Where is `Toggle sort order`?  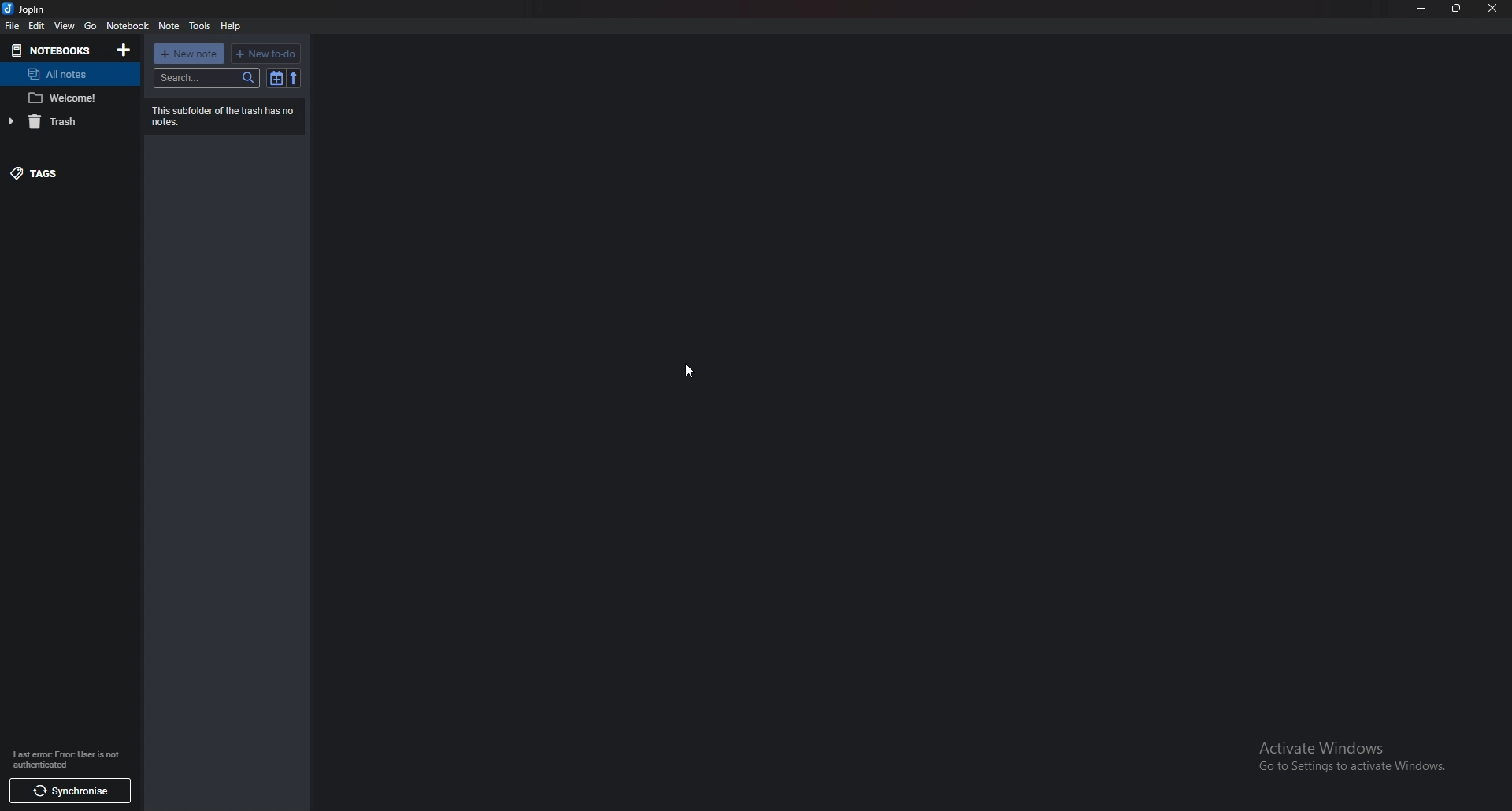
Toggle sort order is located at coordinates (276, 78).